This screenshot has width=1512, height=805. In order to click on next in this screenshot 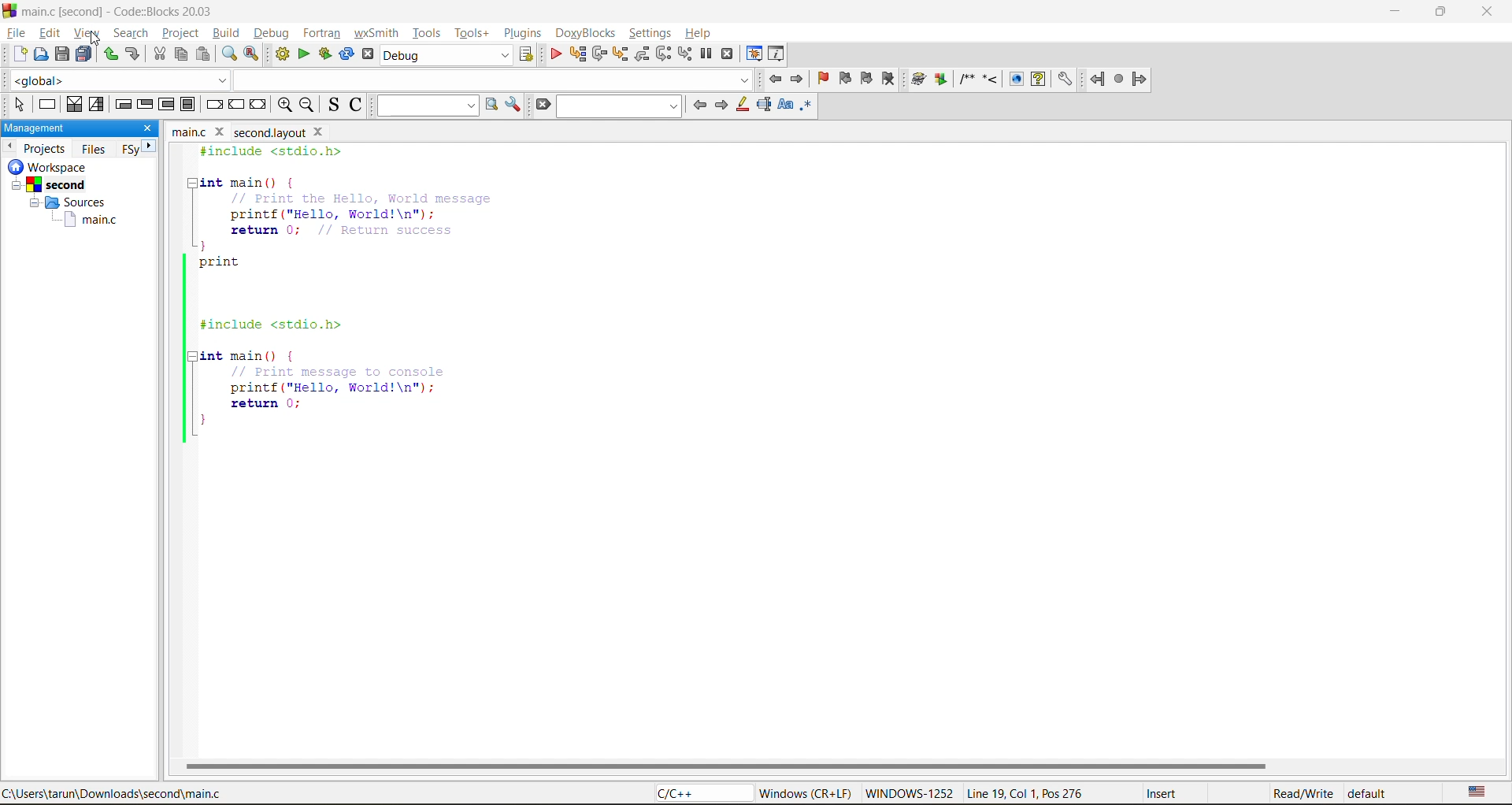, I will do `click(722, 104)`.